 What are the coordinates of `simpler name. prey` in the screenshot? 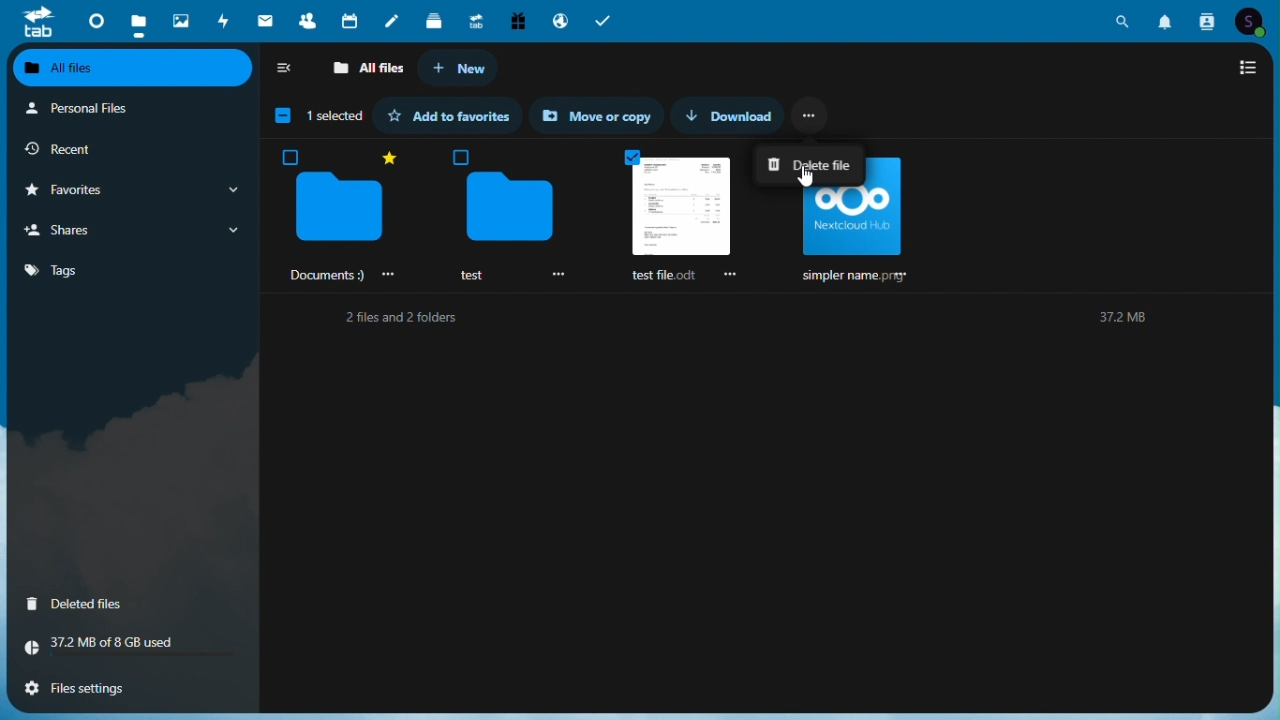 It's located at (856, 240).